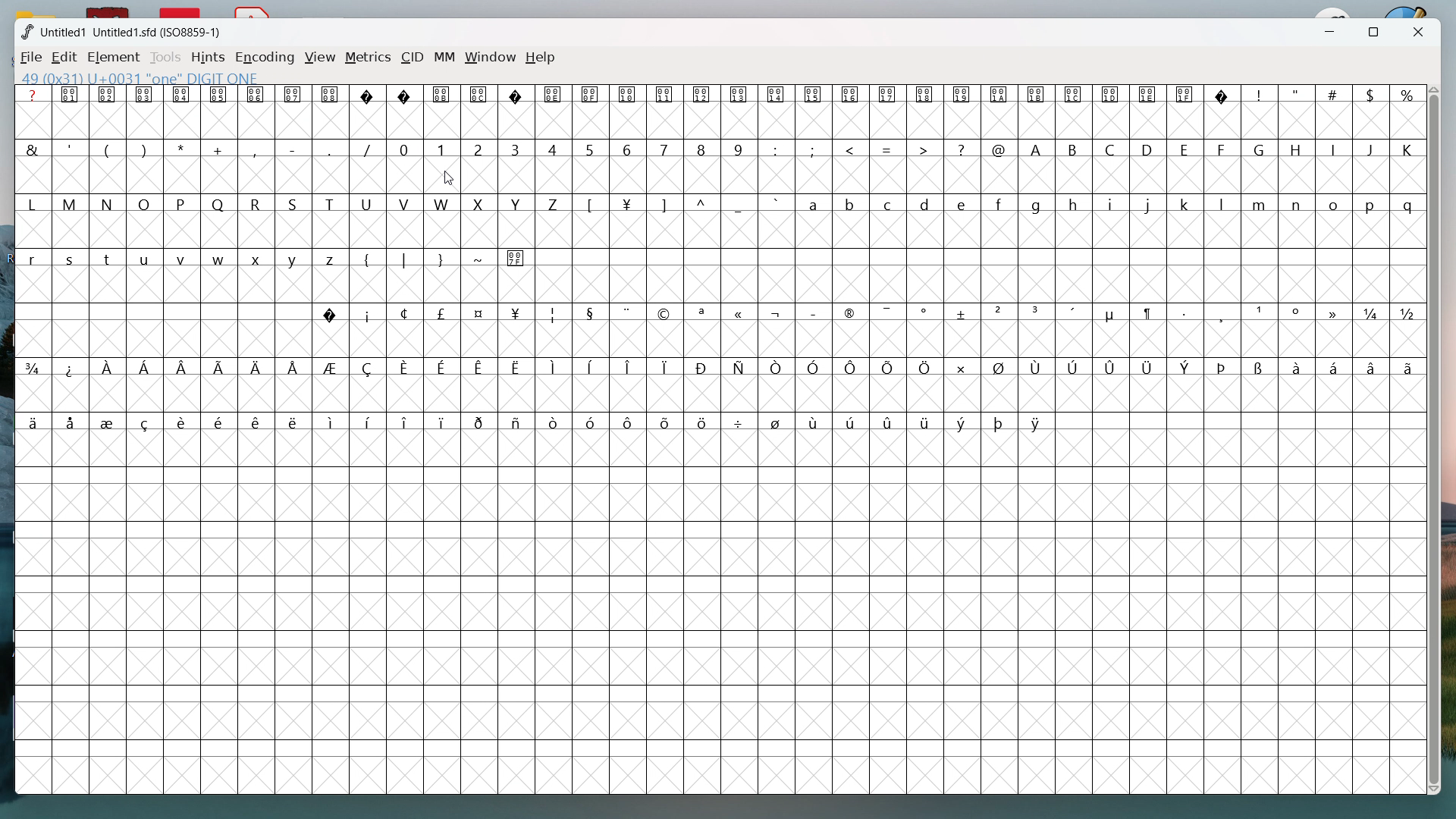 The height and width of the screenshot is (819, 1456). What do you see at coordinates (71, 422) in the screenshot?
I see `symbol` at bounding box center [71, 422].